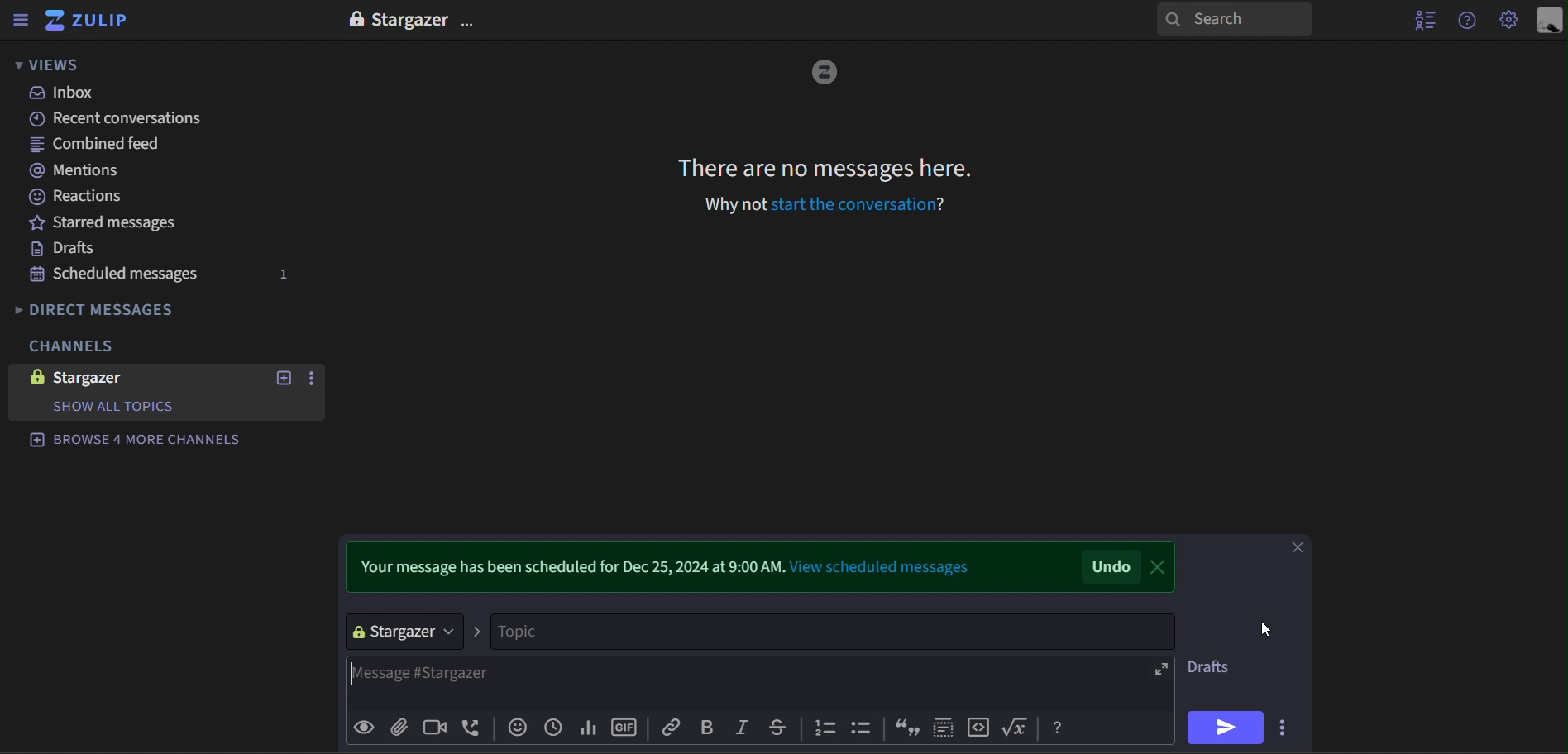 This screenshot has height=754, width=1568. I want to click on icon, so click(942, 728).